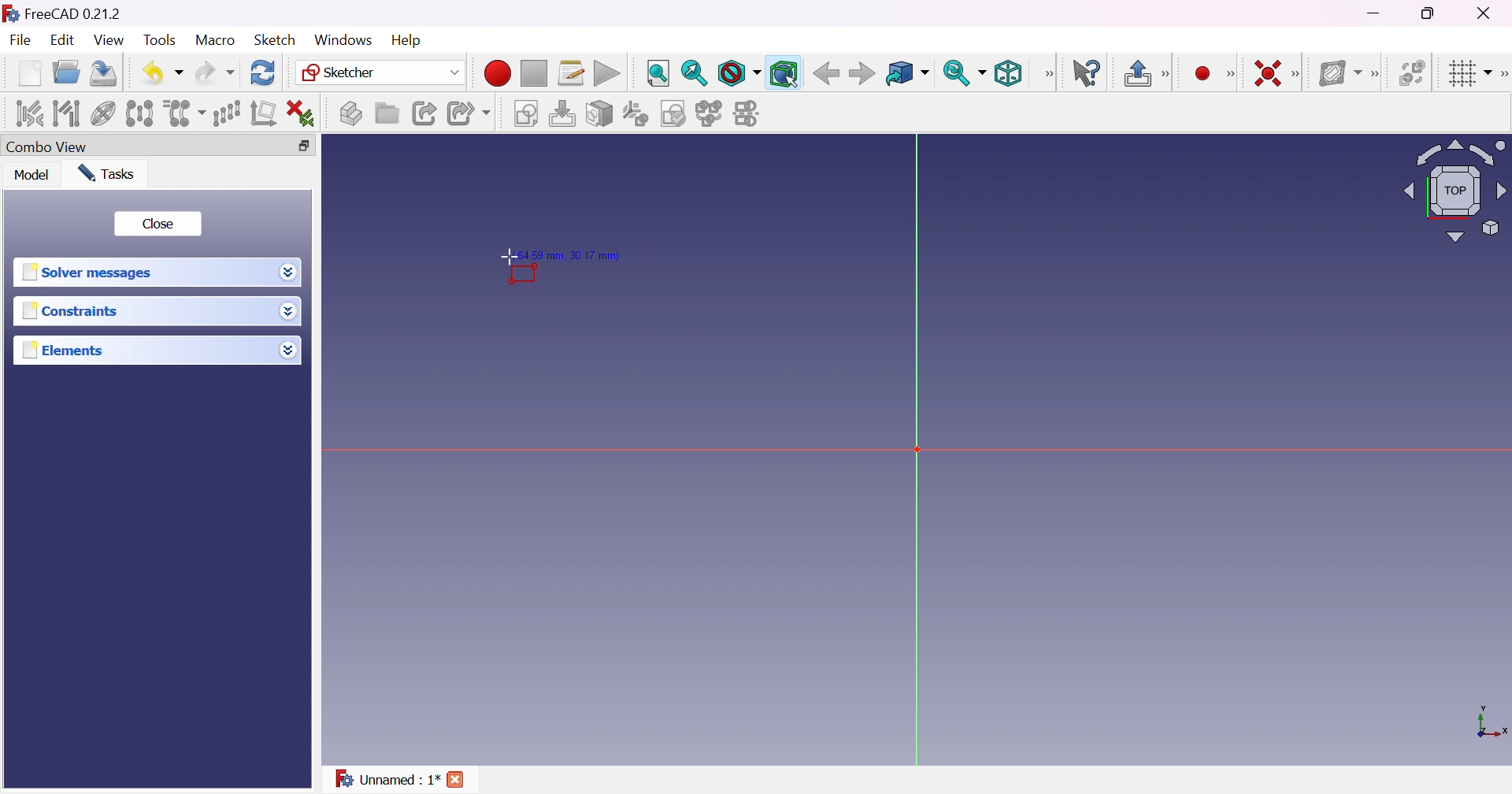 The height and width of the screenshot is (794, 1512). What do you see at coordinates (534, 72) in the screenshot?
I see `Stop macro recording...` at bounding box center [534, 72].